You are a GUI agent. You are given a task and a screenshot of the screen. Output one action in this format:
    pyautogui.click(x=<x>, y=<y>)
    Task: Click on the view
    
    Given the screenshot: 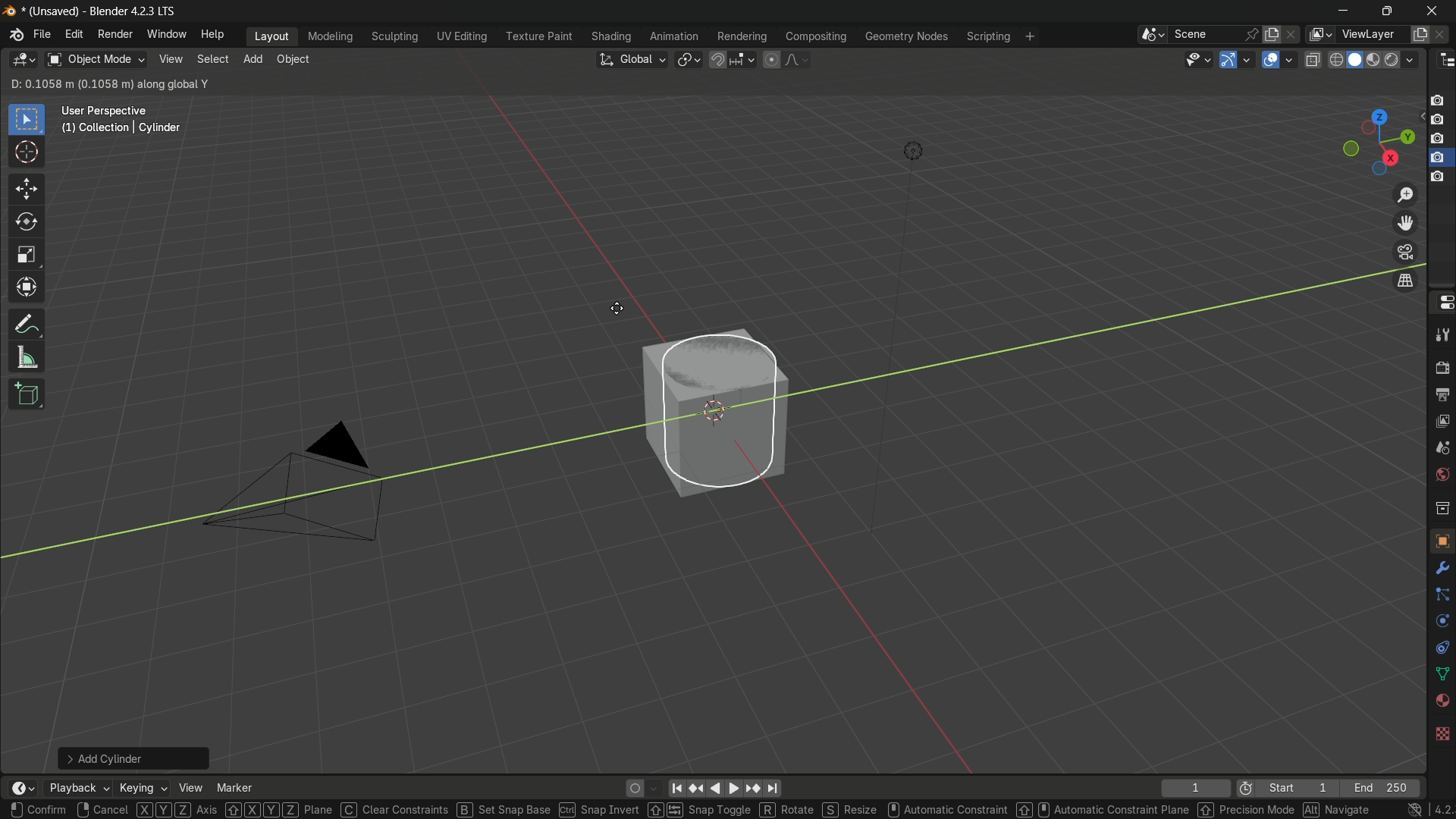 What is the action you would take?
    pyautogui.click(x=188, y=787)
    